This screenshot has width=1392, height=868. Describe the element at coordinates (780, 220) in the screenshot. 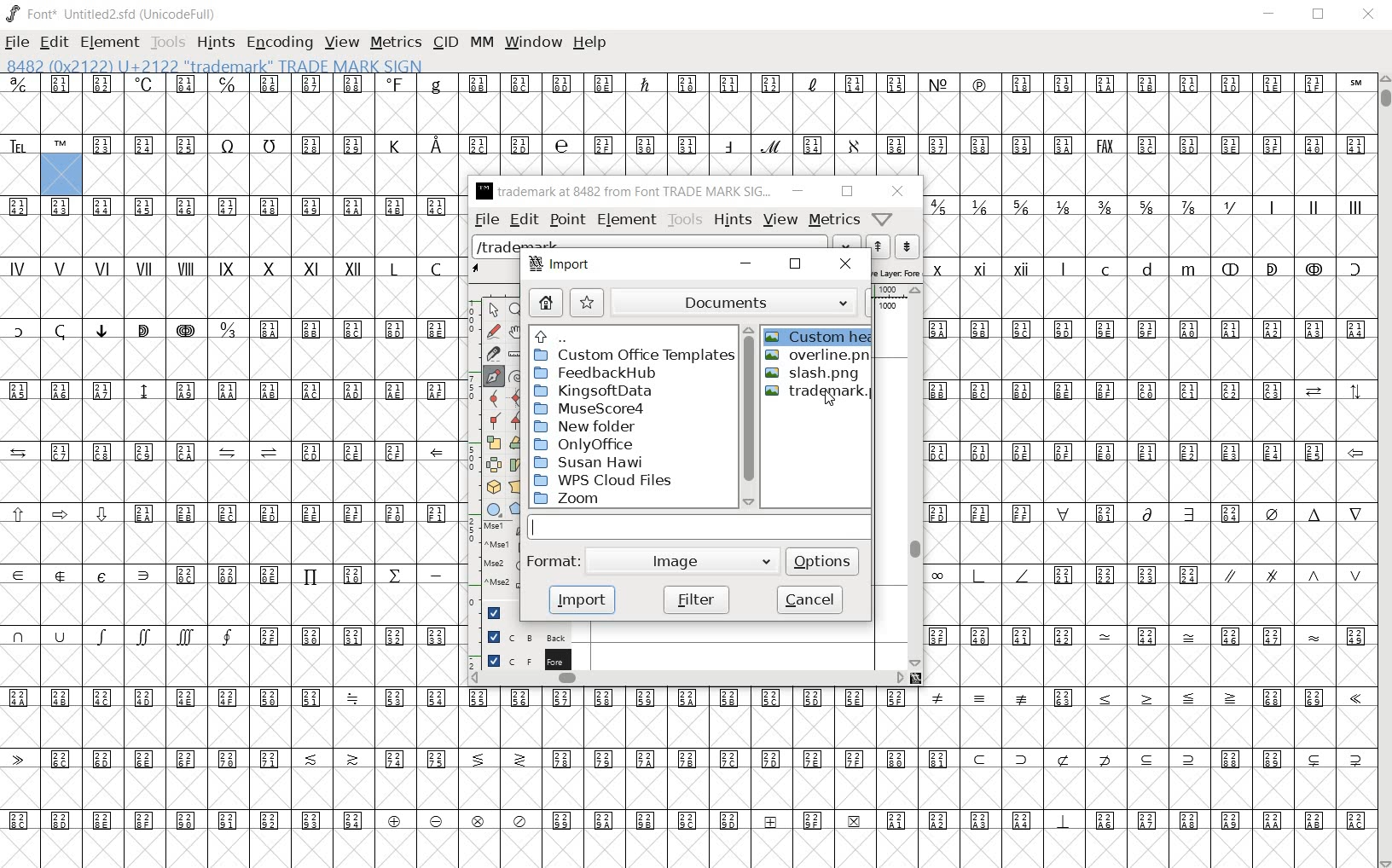

I see `view` at that location.